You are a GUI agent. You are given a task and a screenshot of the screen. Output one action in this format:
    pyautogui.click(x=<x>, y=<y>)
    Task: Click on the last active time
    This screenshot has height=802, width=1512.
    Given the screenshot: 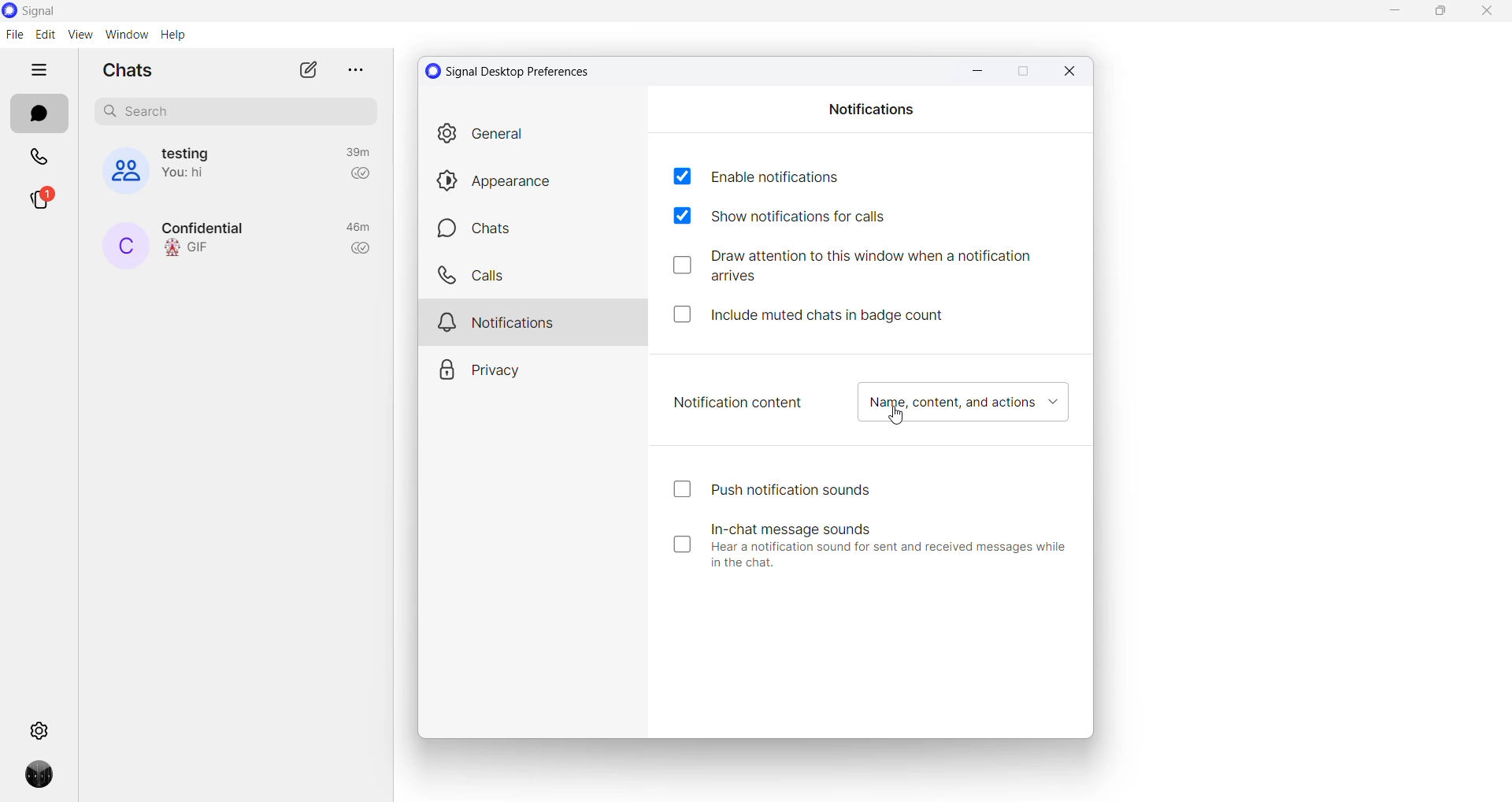 What is the action you would take?
    pyautogui.click(x=355, y=152)
    